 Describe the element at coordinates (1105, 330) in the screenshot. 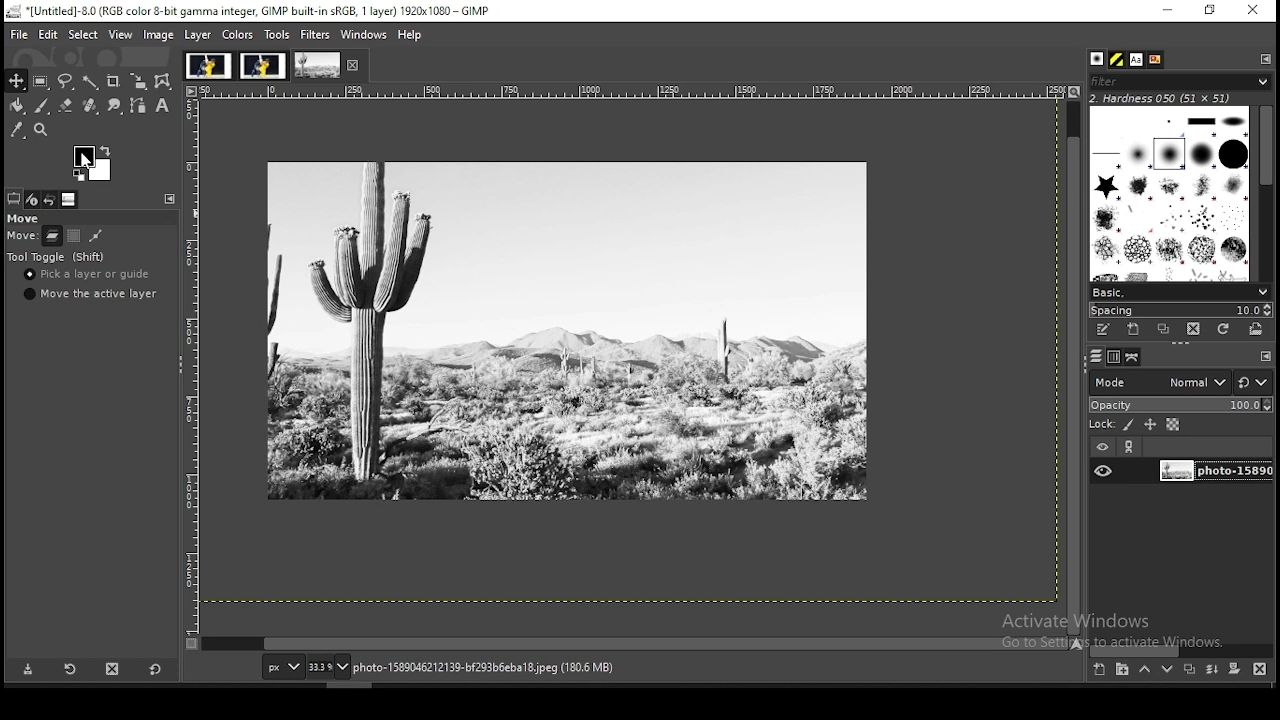

I see `edit brush` at that location.